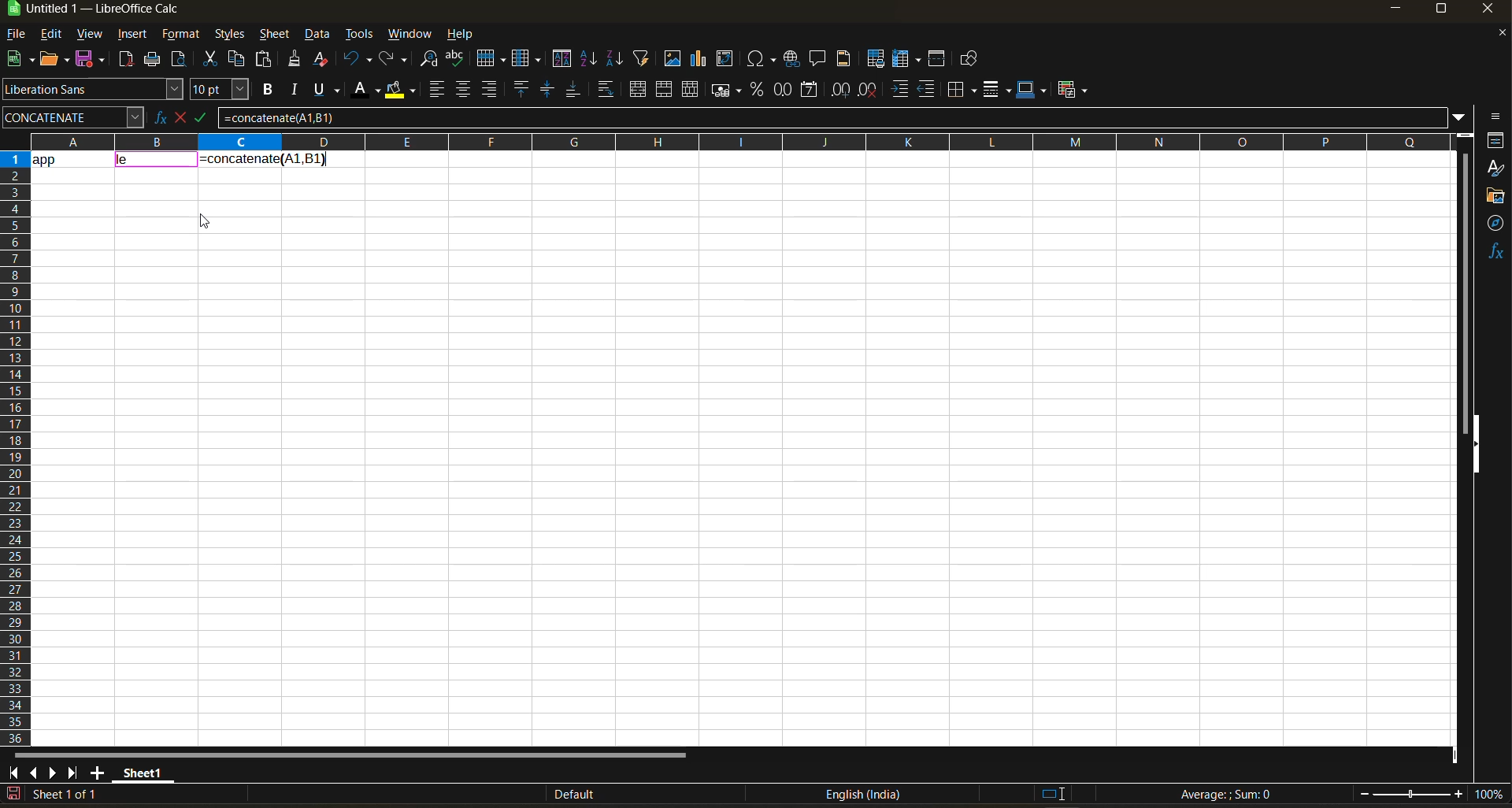 This screenshot has height=808, width=1512. Describe the element at coordinates (491, 57) in the screenshot. I see `row` at that location.